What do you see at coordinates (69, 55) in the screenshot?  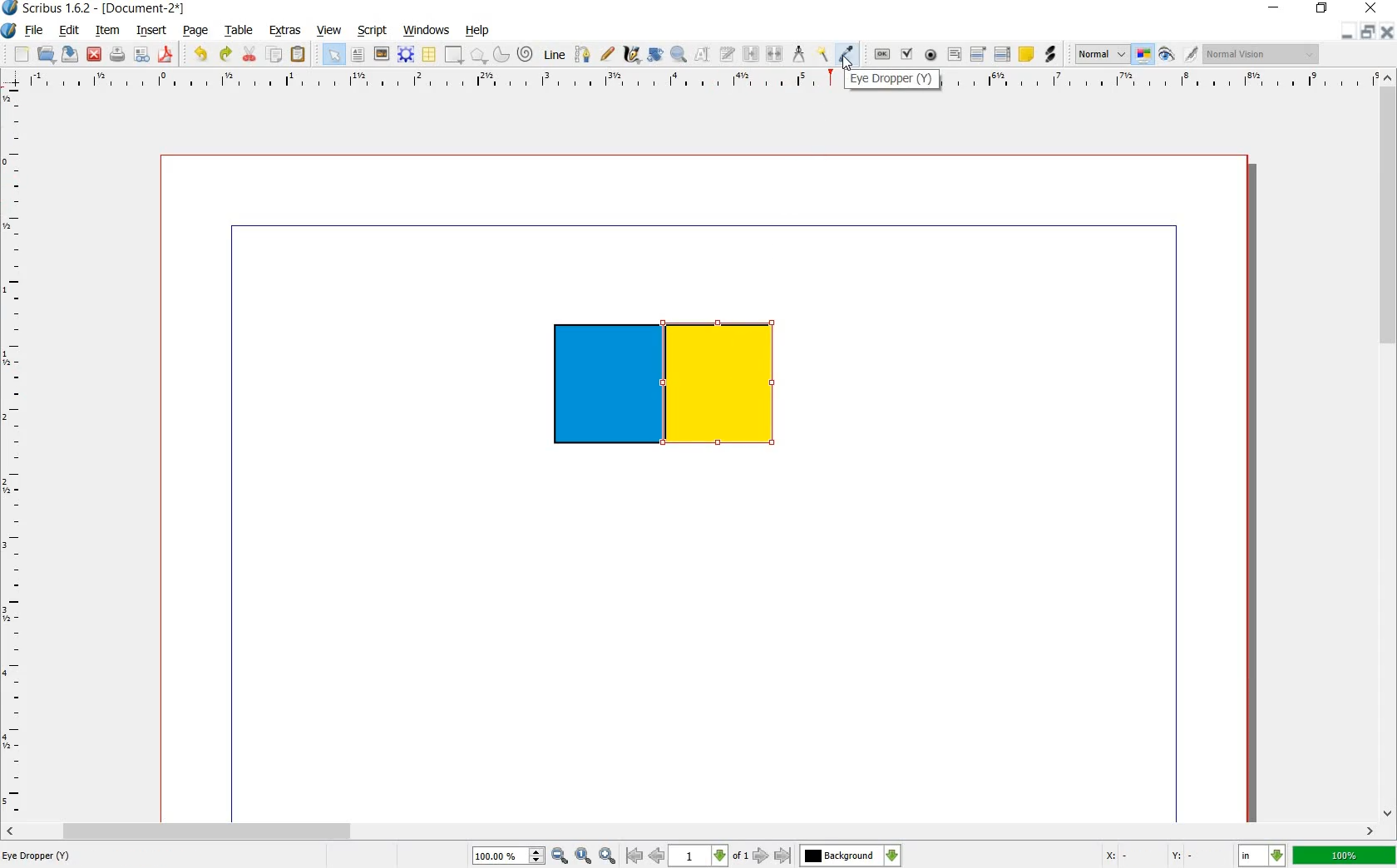 I see `save` at bounding box center [69, 55].